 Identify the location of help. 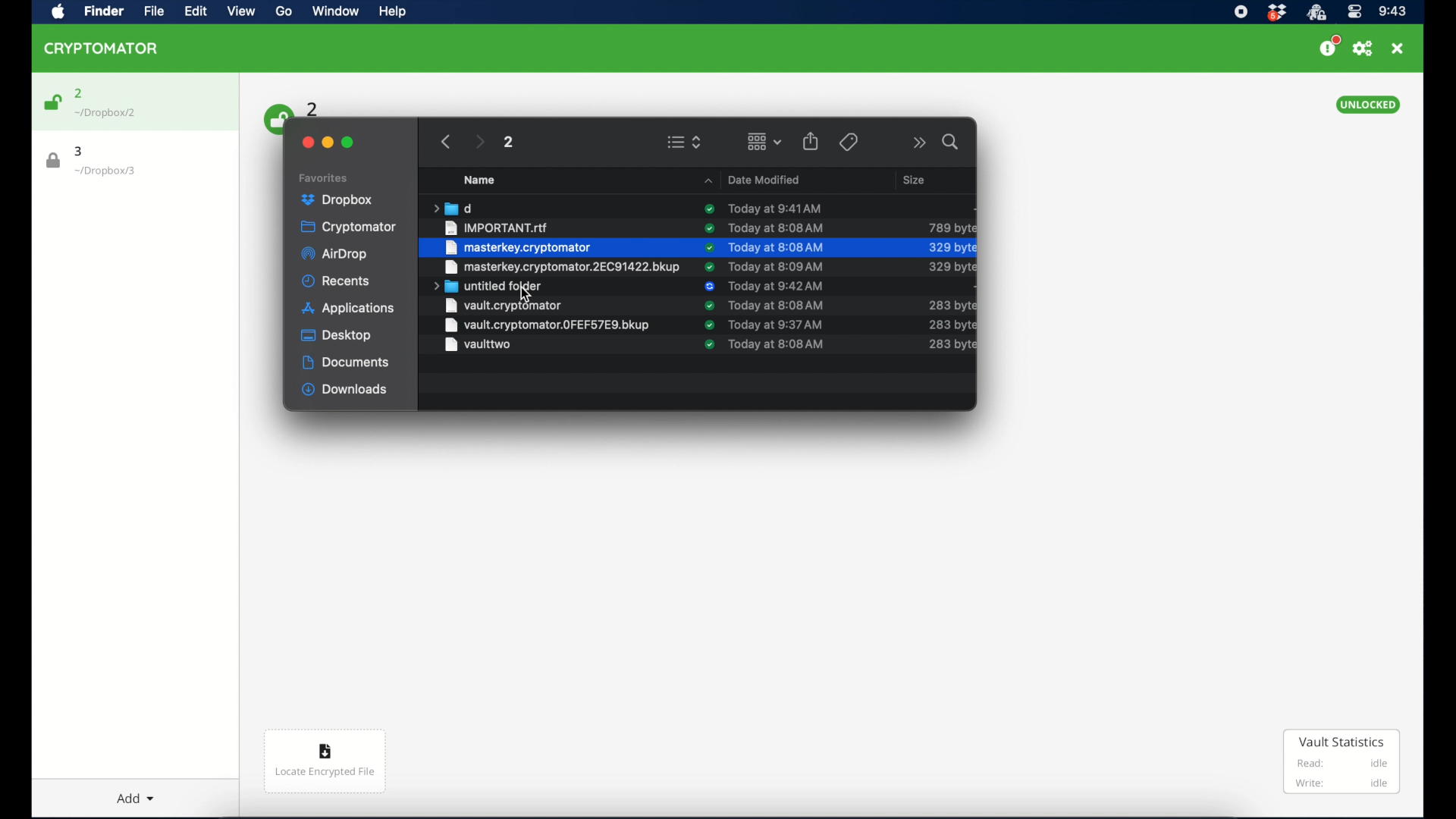
(391, 11).